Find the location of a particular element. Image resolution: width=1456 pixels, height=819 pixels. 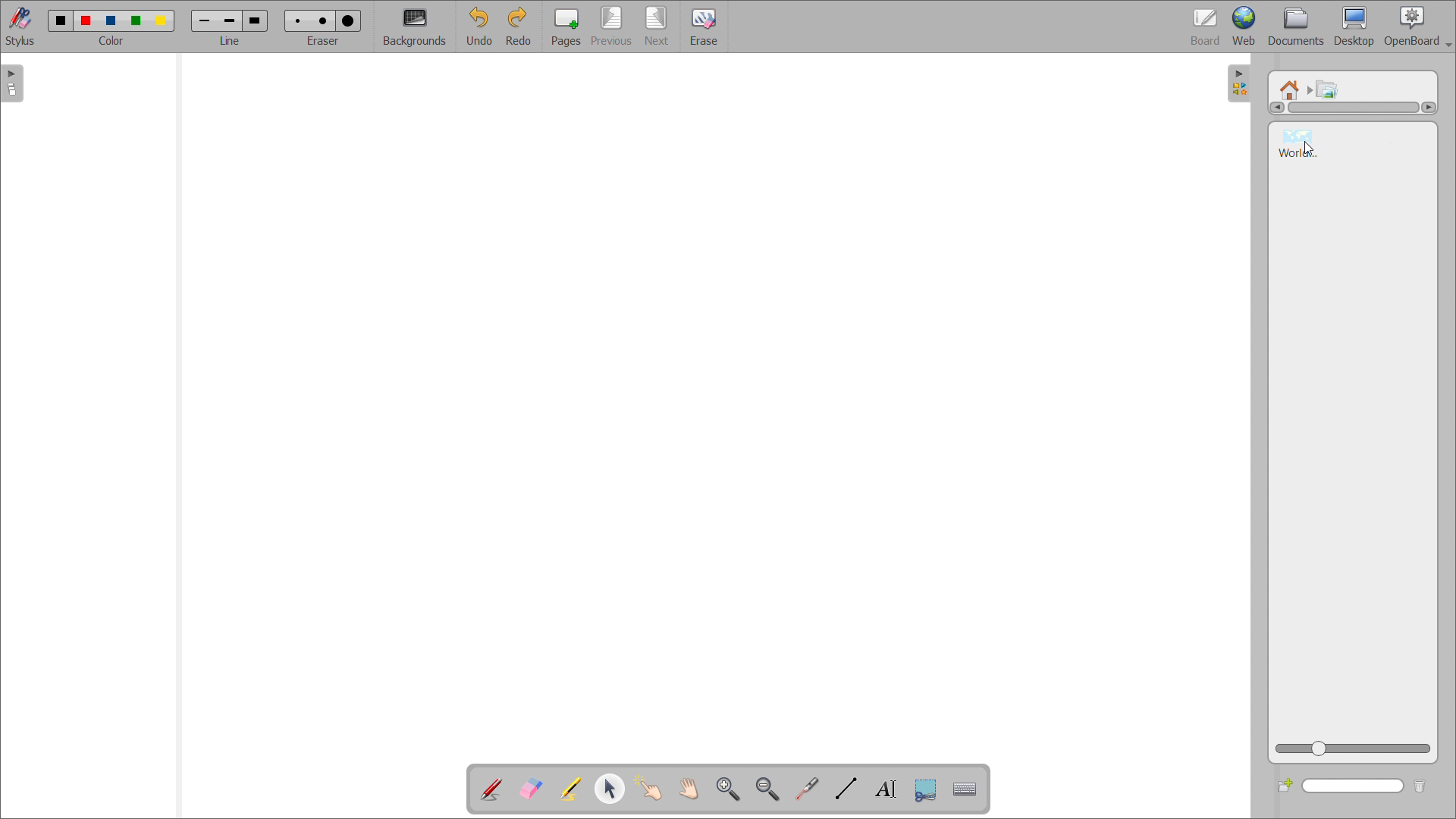

cursor is located at coordinates (1310, 149).